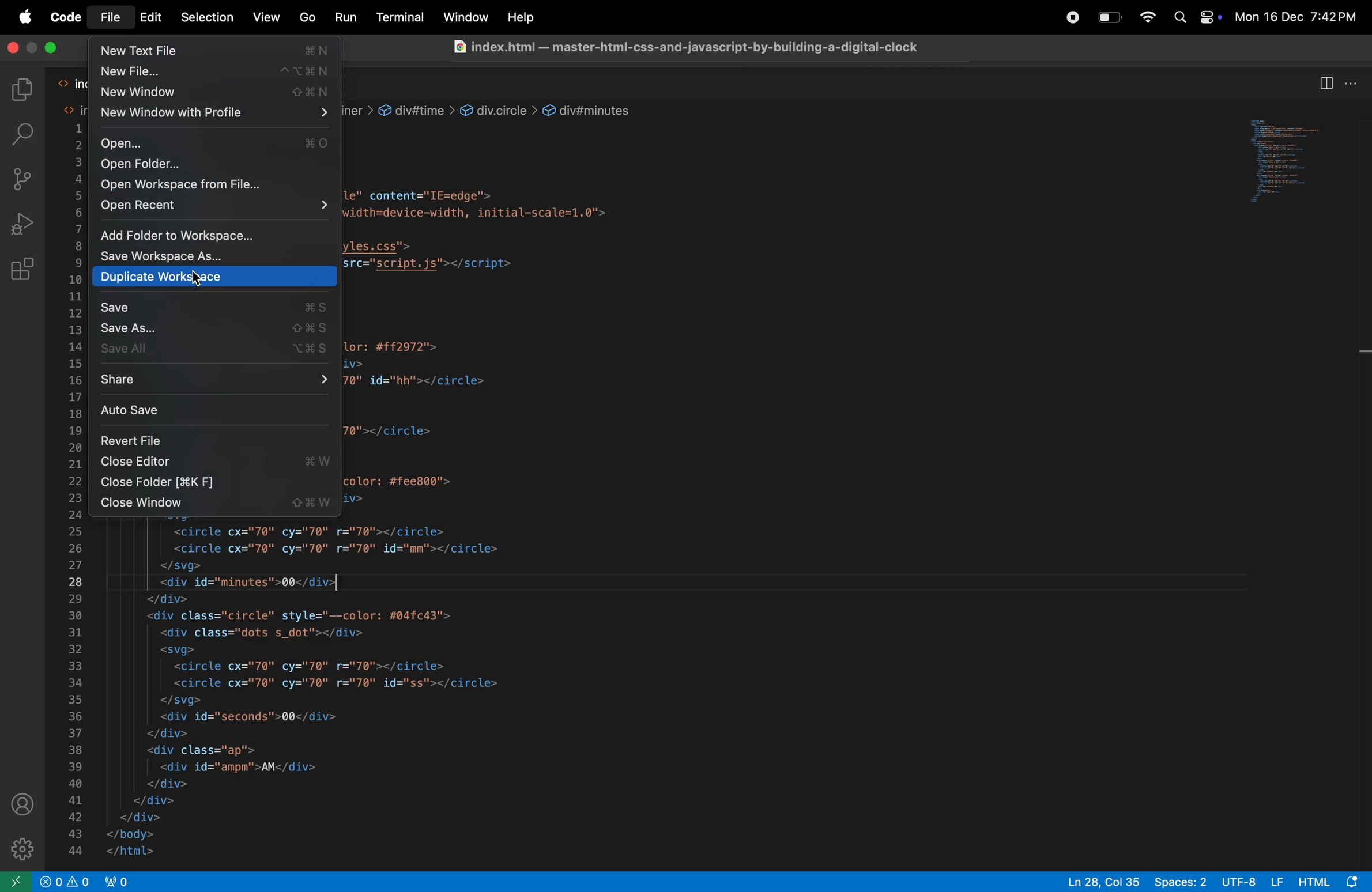 The width and height of the screenshot is (1372, 892). What do you see at coordinates (214, 463) in the screenshot?
I see `` at bounding box center [214, 463].